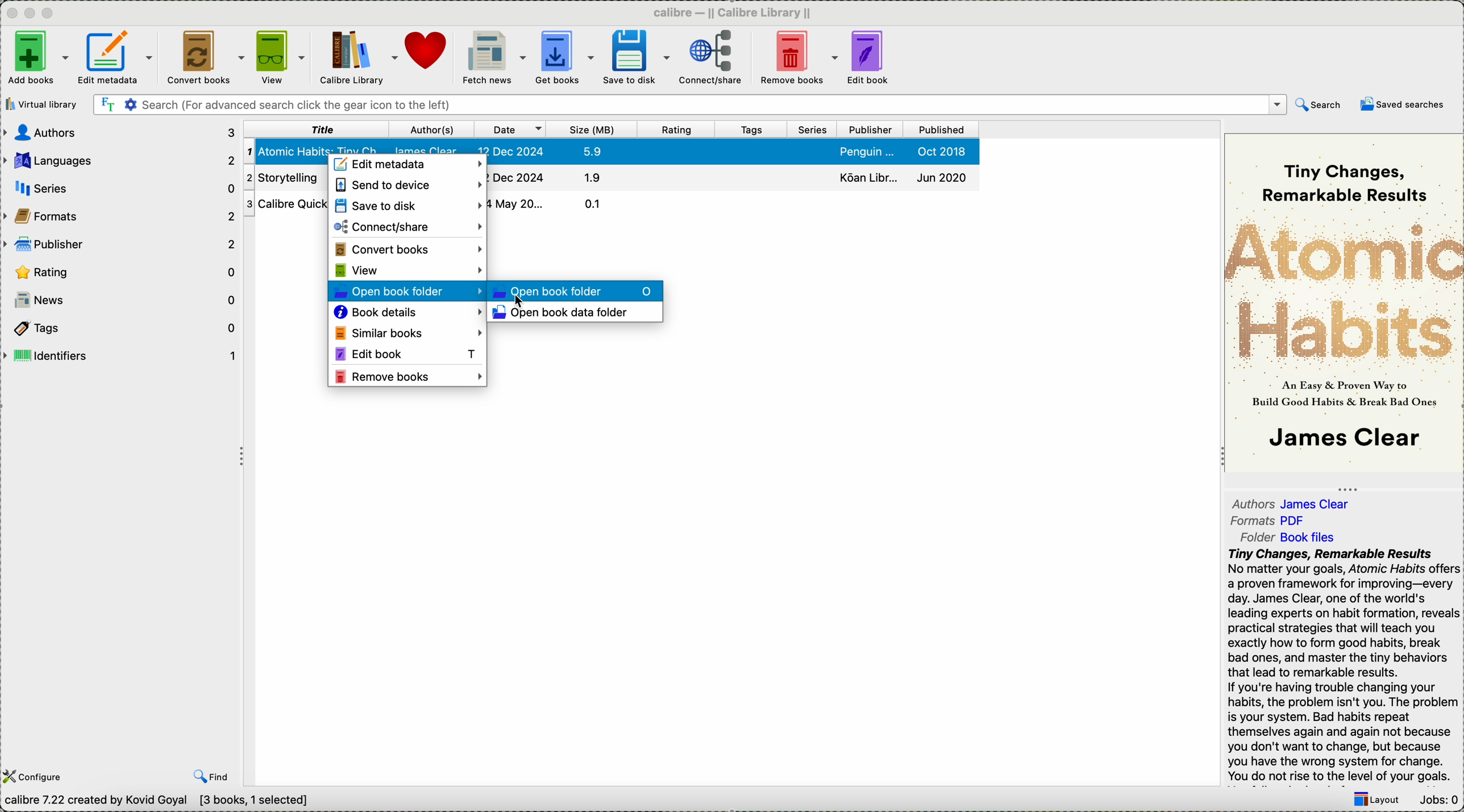  Describe the element at coordinates (427, 51) in the screenshot. I see `donate` at that location.